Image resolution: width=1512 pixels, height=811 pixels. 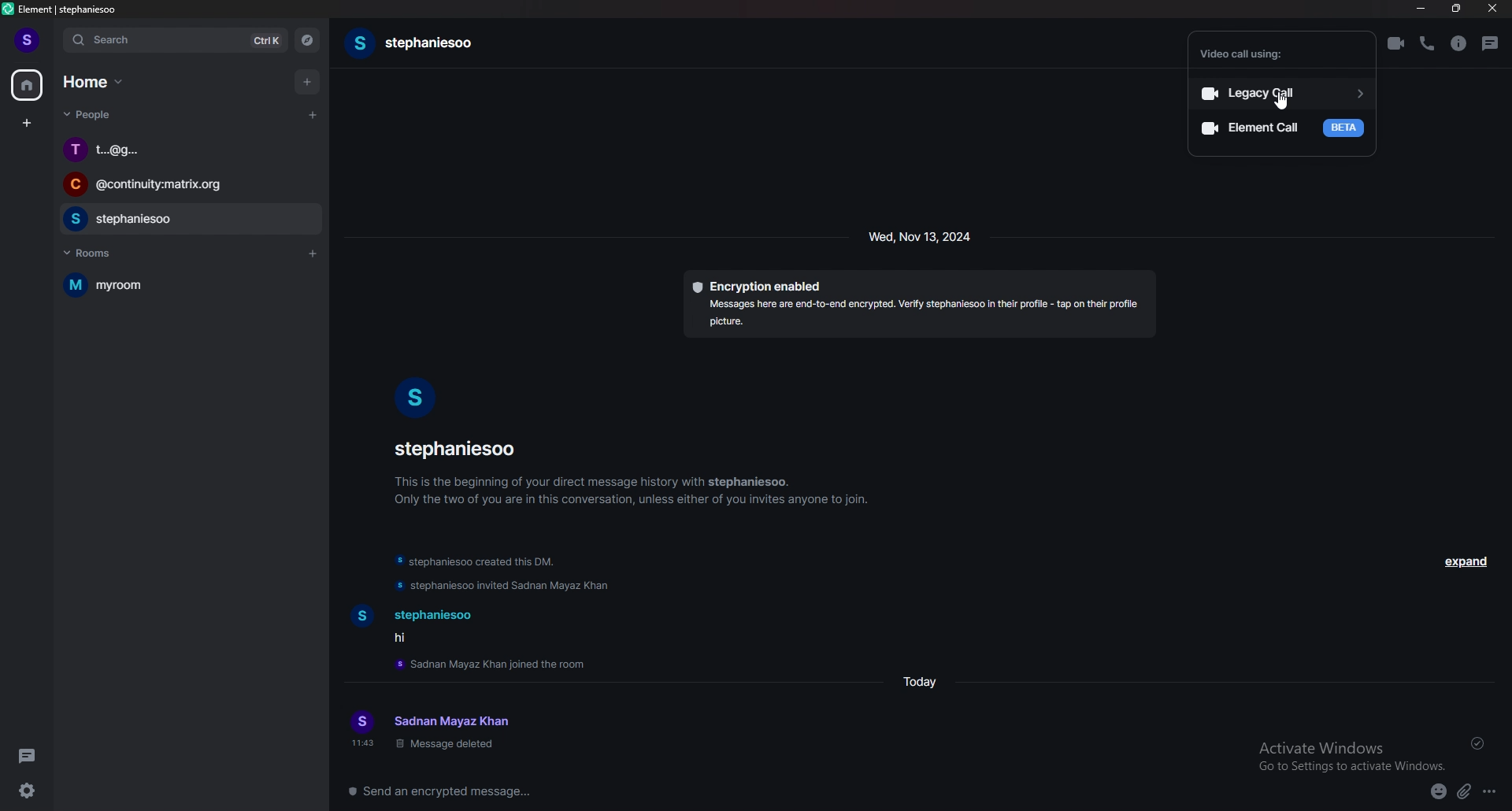 I want to click on text, so click(x=455, y=732).